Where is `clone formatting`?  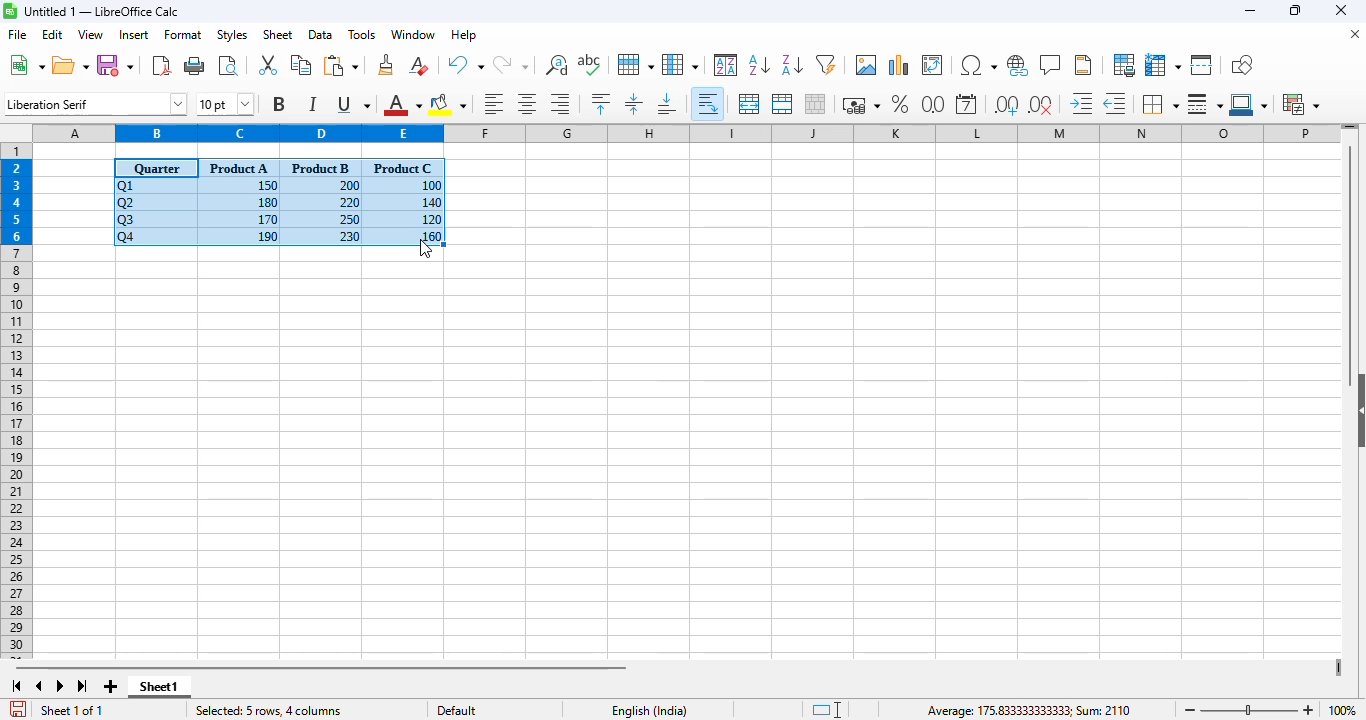
clone formatting is located at coordinates (387, 64).